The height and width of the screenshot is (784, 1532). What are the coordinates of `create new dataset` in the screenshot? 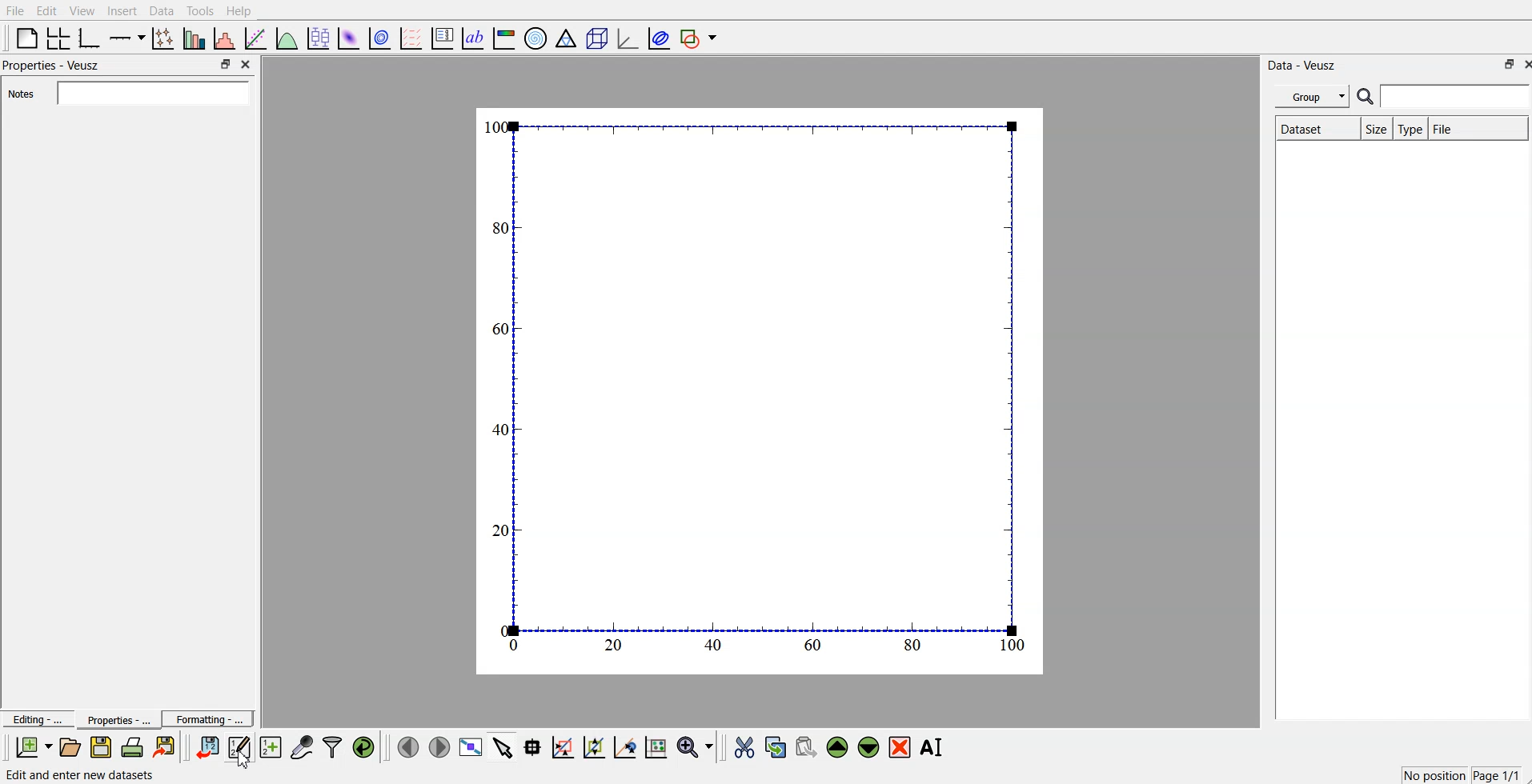 It's located at (270, 745).